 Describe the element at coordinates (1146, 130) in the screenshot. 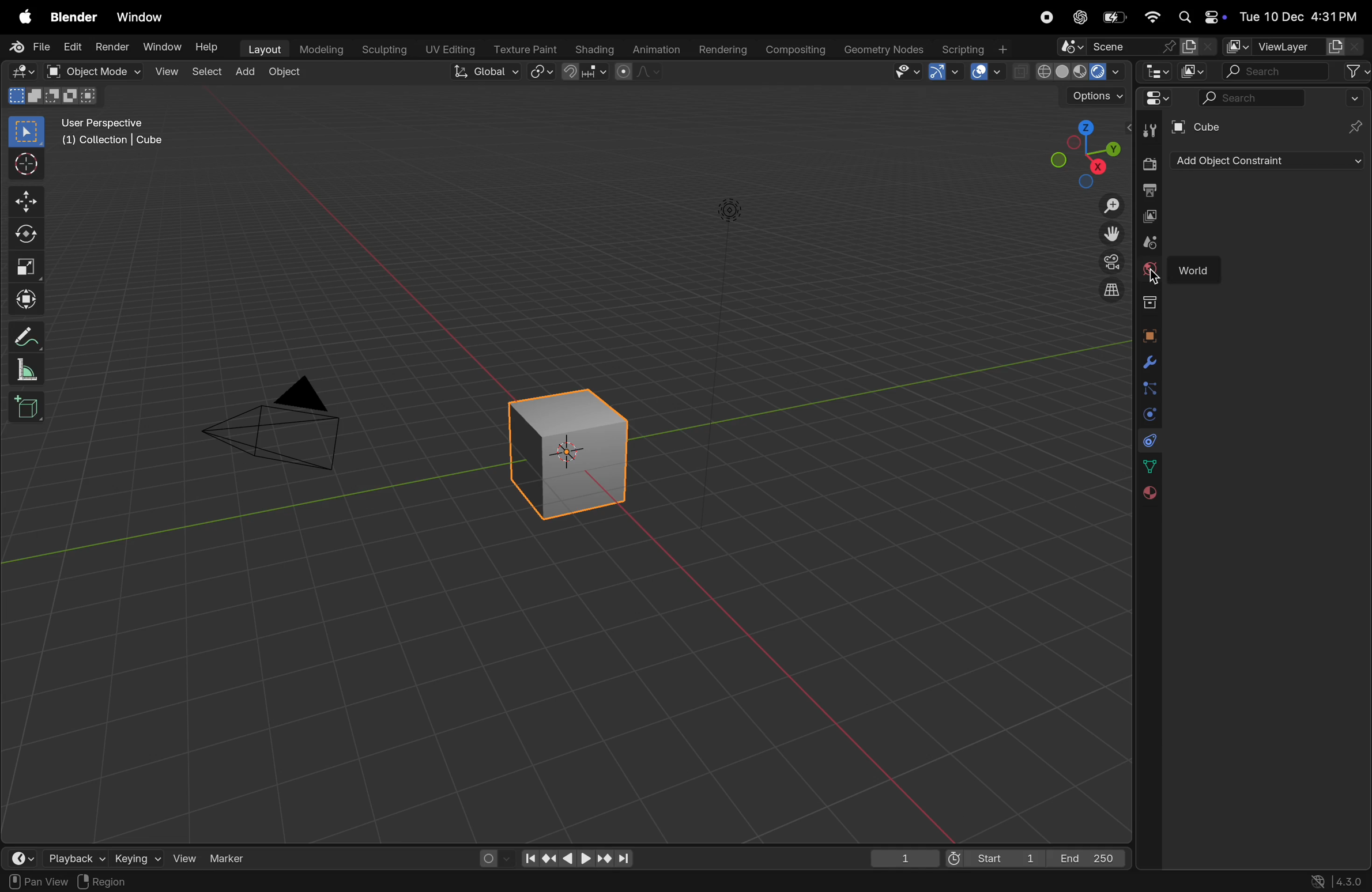

I see `tools` at that location.